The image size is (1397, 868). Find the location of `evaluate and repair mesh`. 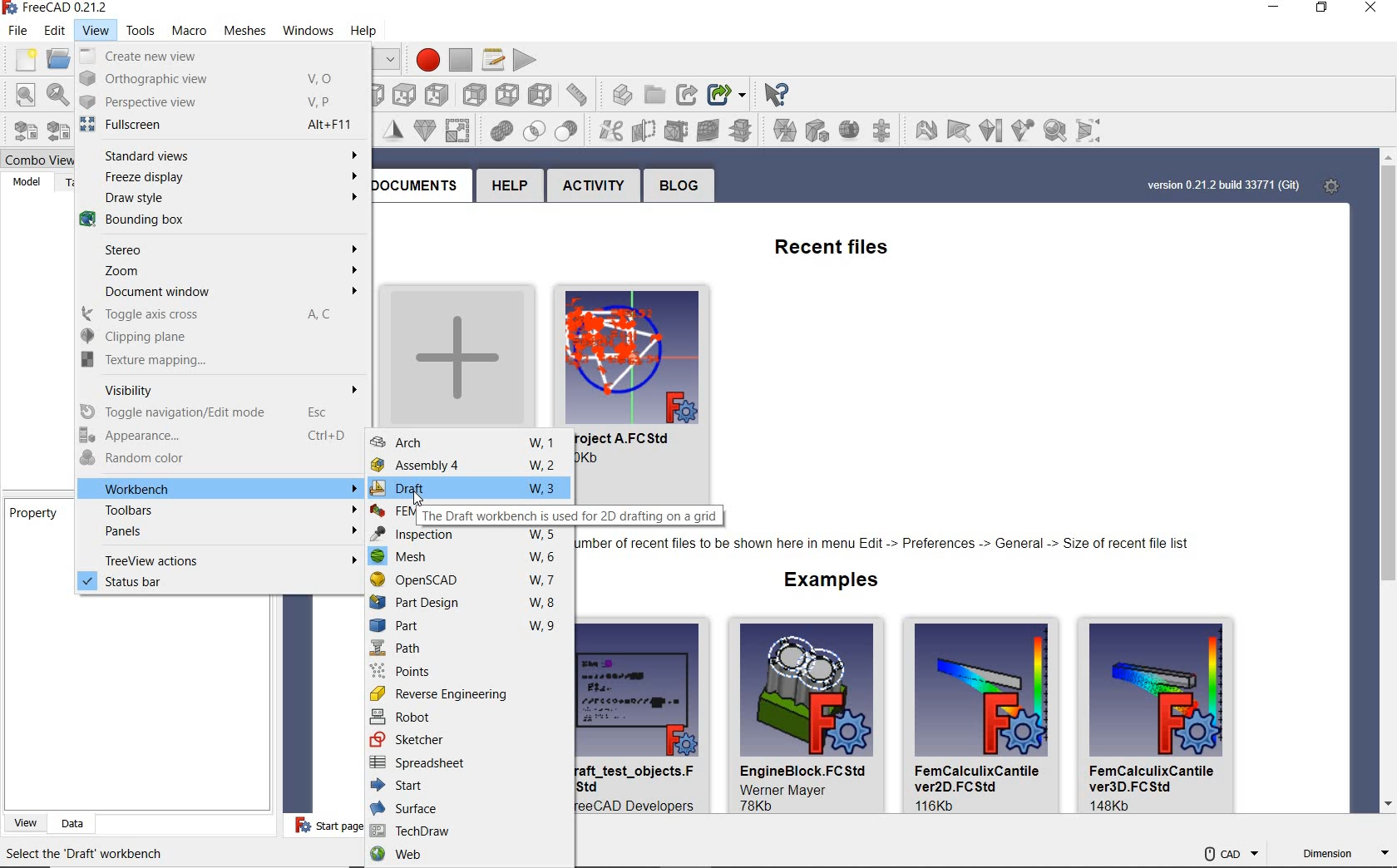

evaluate and repair mesh is located at coordinates (884, 130).